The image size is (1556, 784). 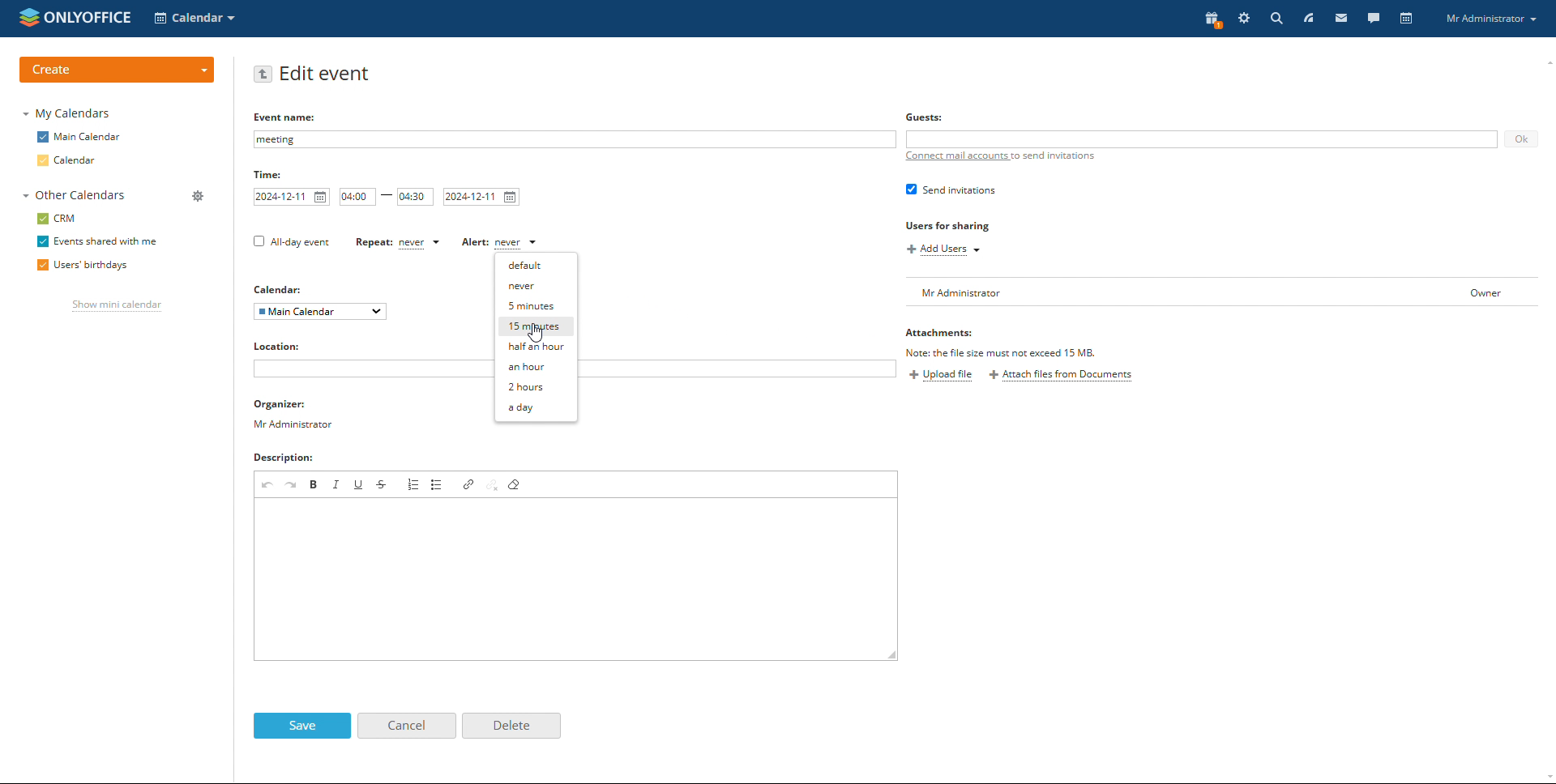 I want to click on user list, so click(x=1225, y=292).